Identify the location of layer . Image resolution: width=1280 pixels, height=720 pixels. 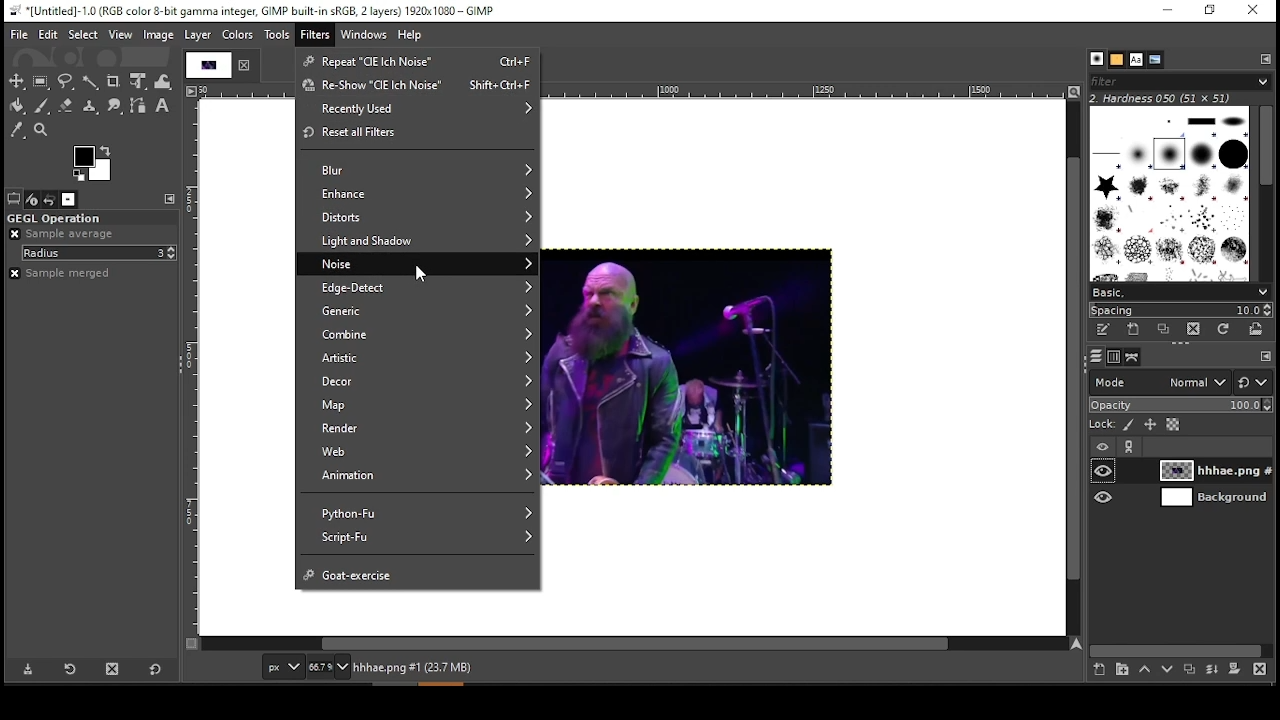
(1203, 471).